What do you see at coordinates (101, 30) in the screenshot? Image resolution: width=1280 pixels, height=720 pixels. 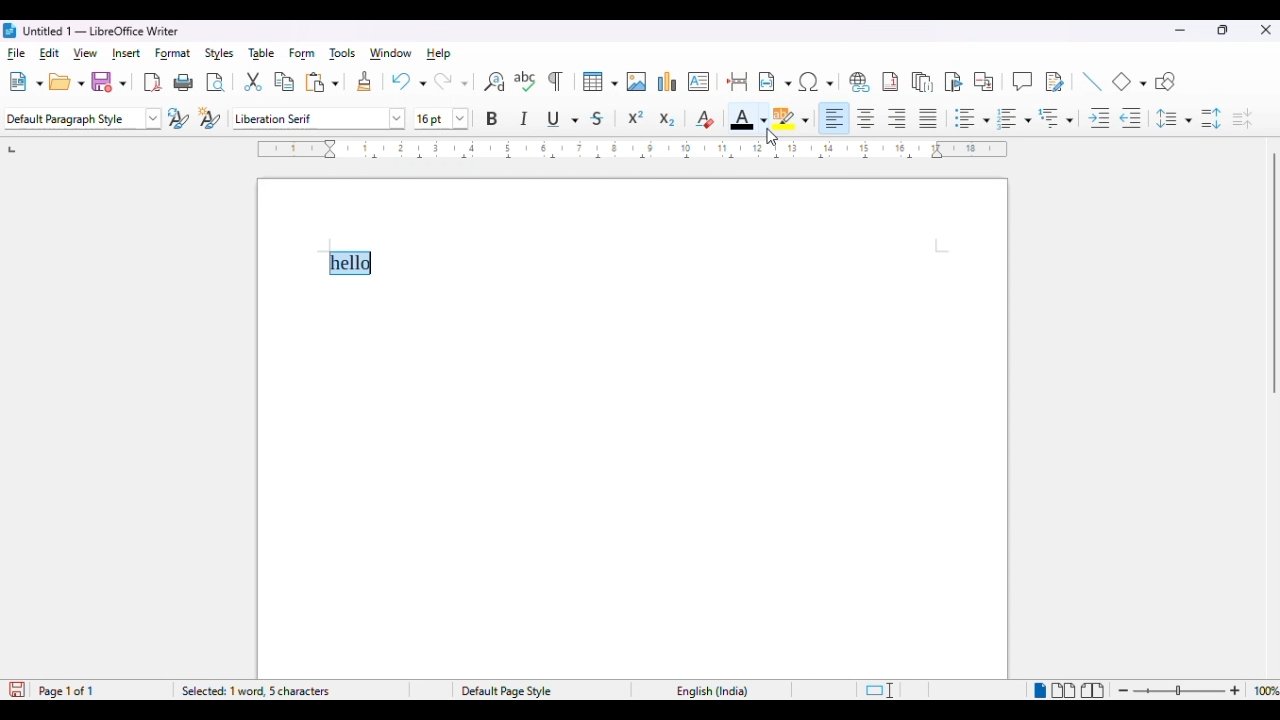 I see `title` at bounding box center [101, 30].